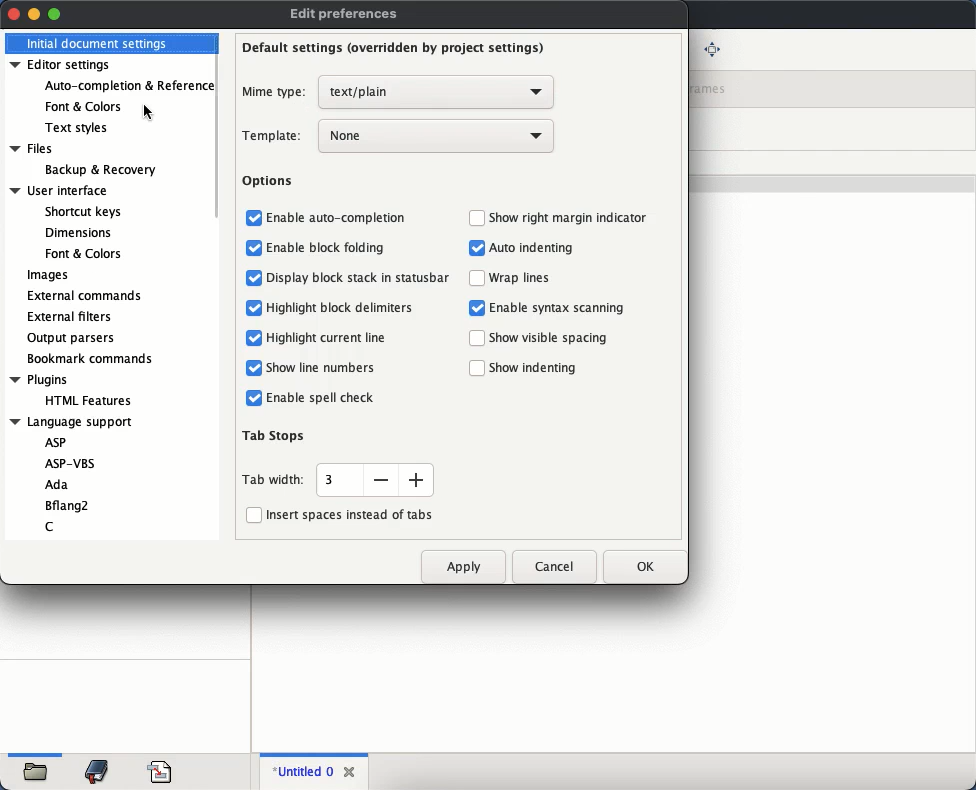 This screenshot has width=976, height=790. What do you see at coordinates (57, 484) in the screenshot?
I see `Ada` at bounding box center [57, 484].